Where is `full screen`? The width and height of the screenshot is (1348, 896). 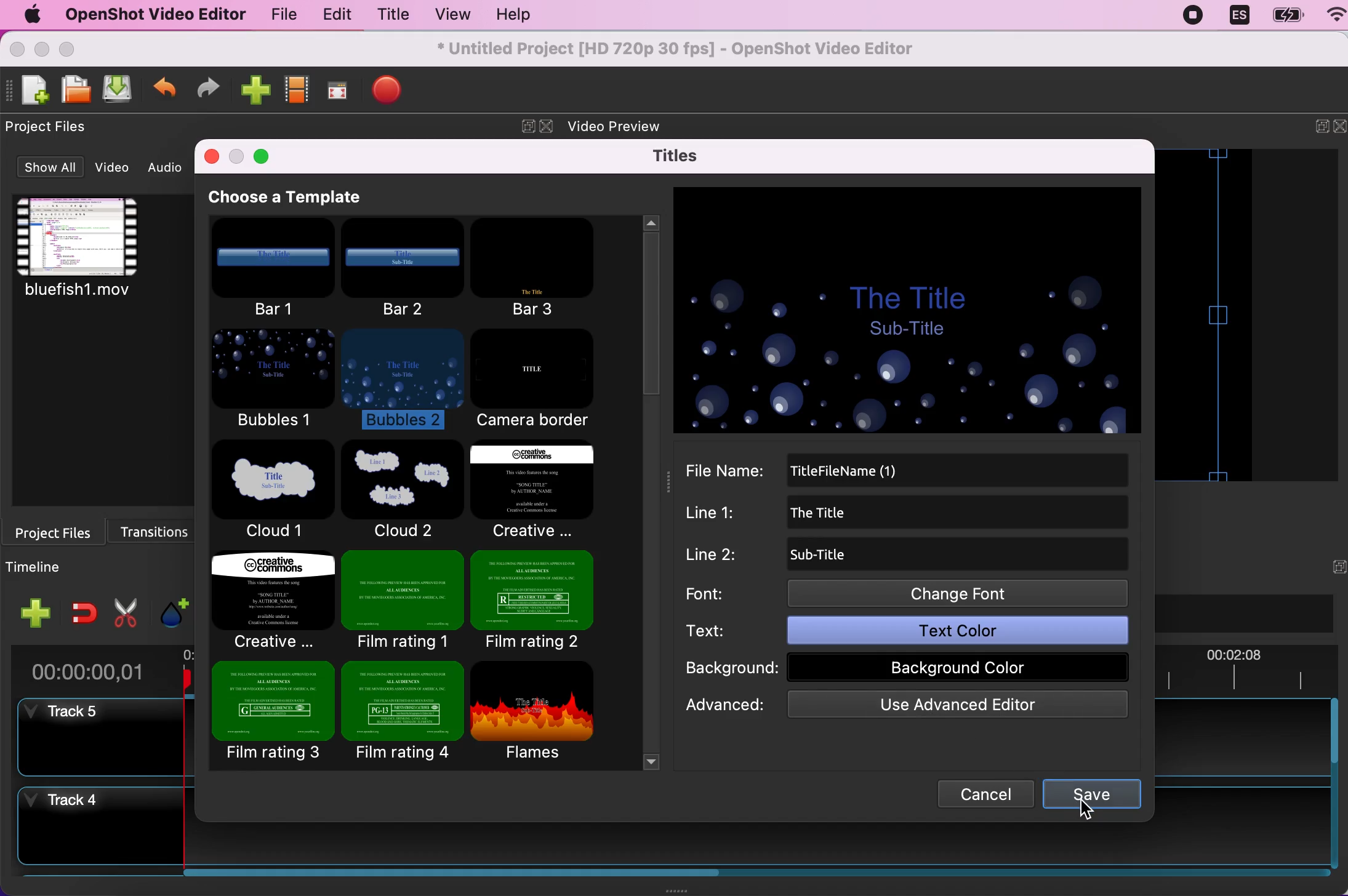 full screen is located at coordinates (336, 94).